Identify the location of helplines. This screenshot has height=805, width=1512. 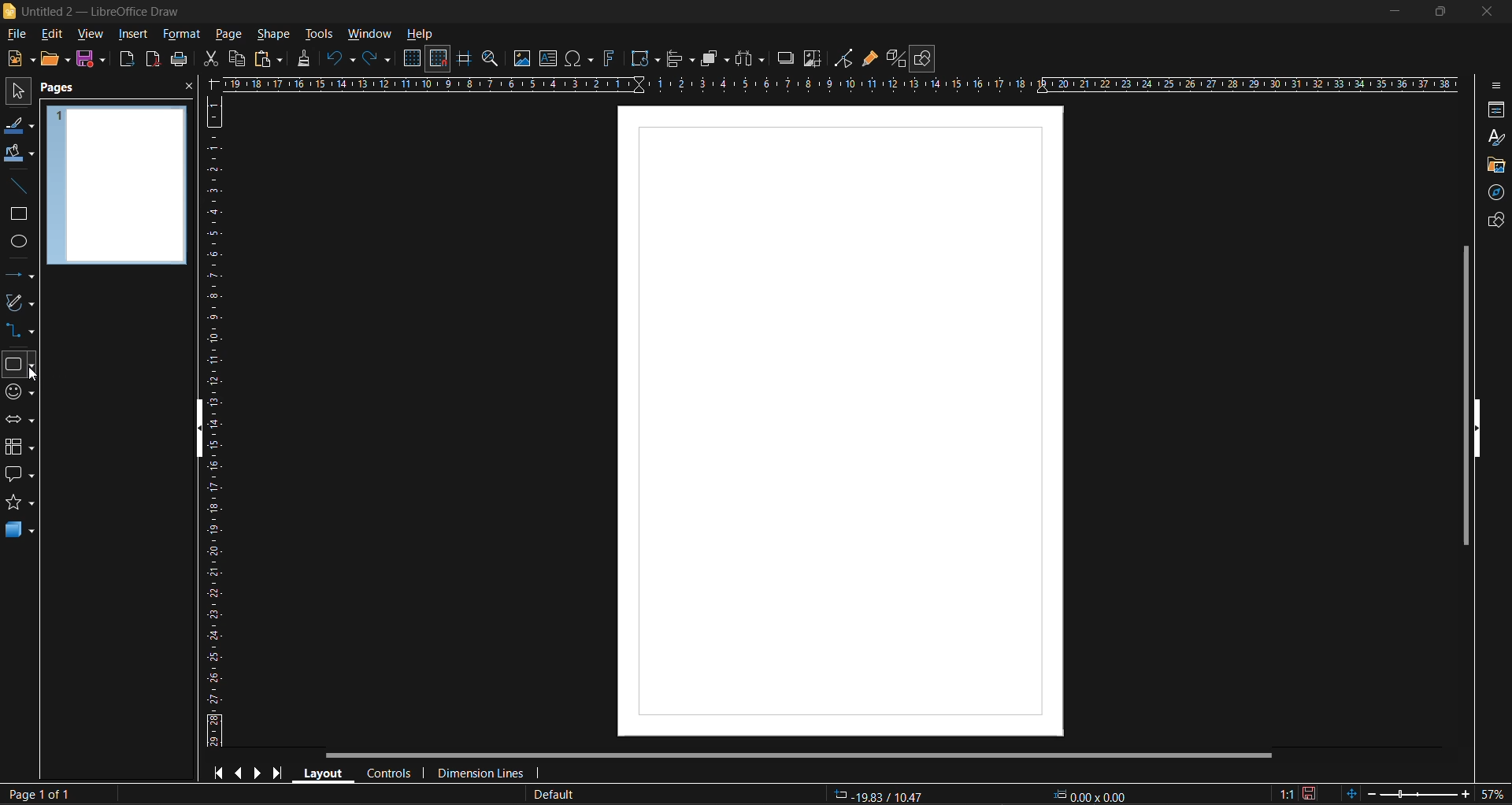
(462, 59).